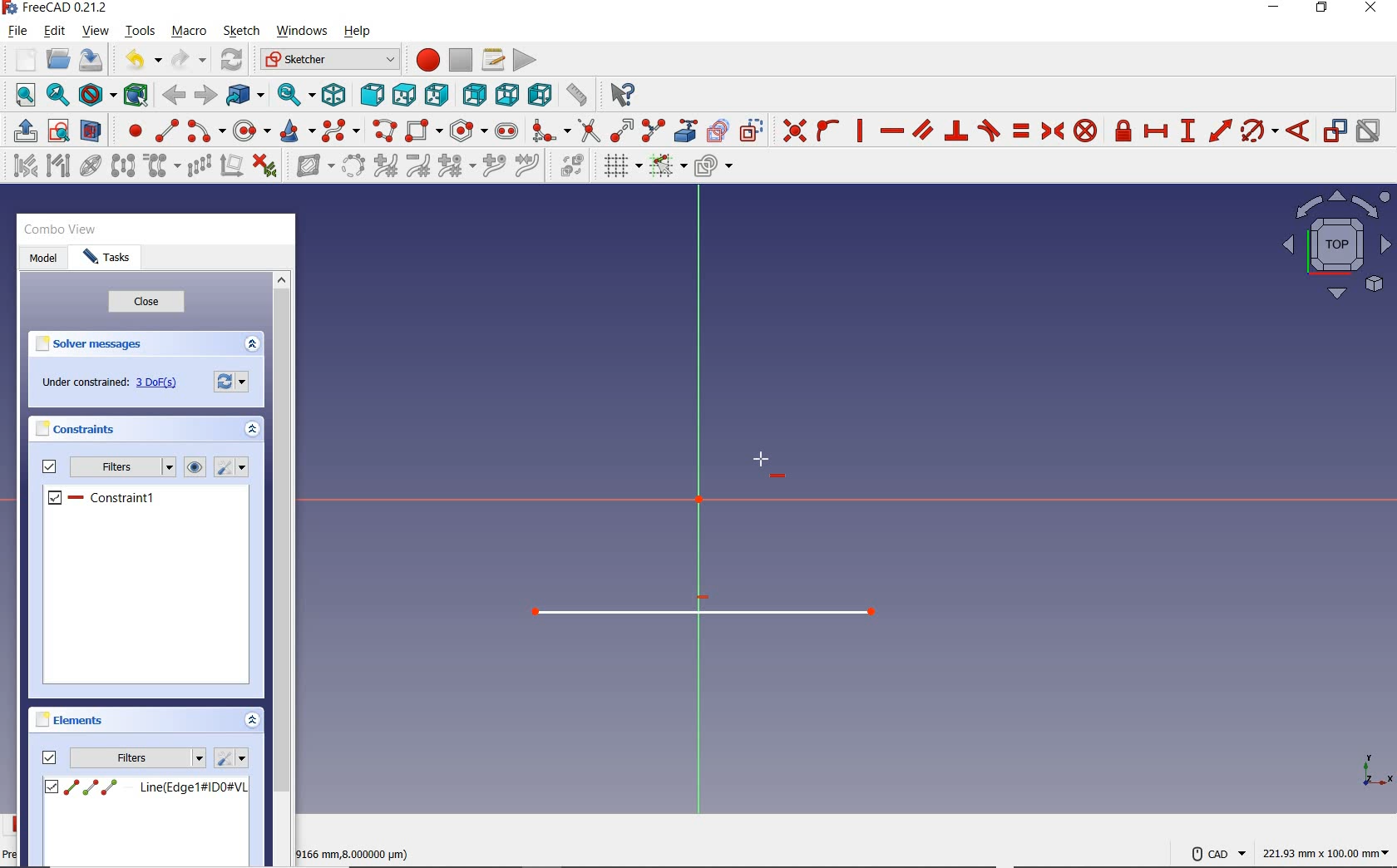  What do you see at coordinates (251, 429) in the screenshot?
I see `COLLAPSE` at bounding box center [251, 429].